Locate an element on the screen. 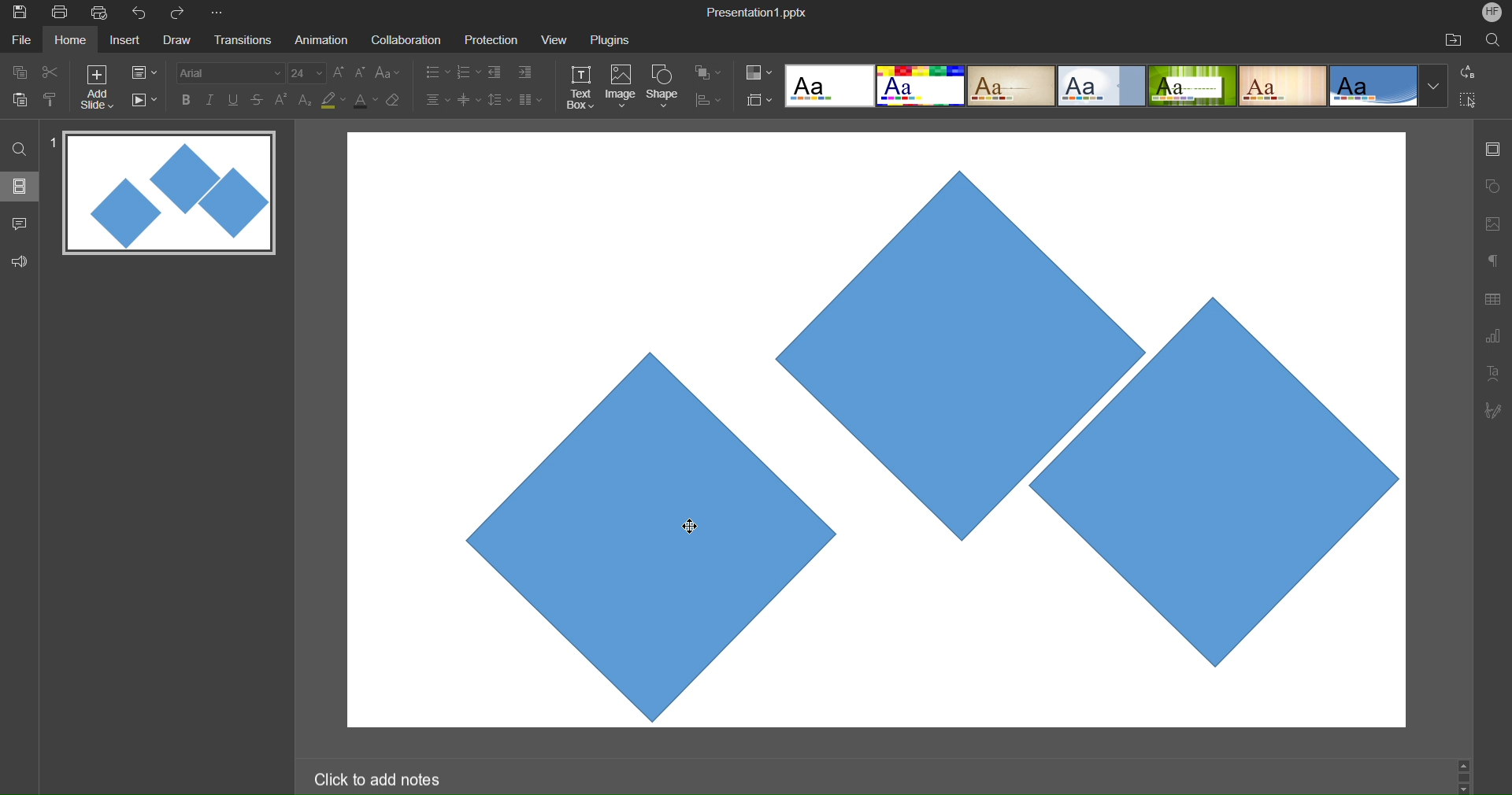 The height and width of the screenshot is (795, 1512). Graph is located at coordinates (1492, 338).